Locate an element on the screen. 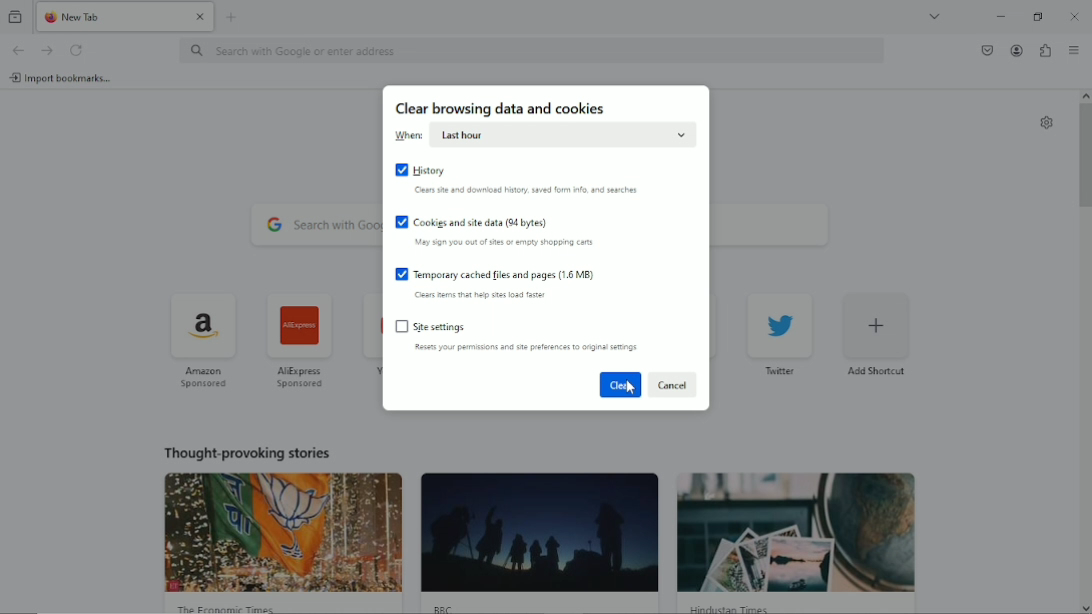 The width and height of the screenshot is (1092, 614). clear is located at coordinates (620, 384).